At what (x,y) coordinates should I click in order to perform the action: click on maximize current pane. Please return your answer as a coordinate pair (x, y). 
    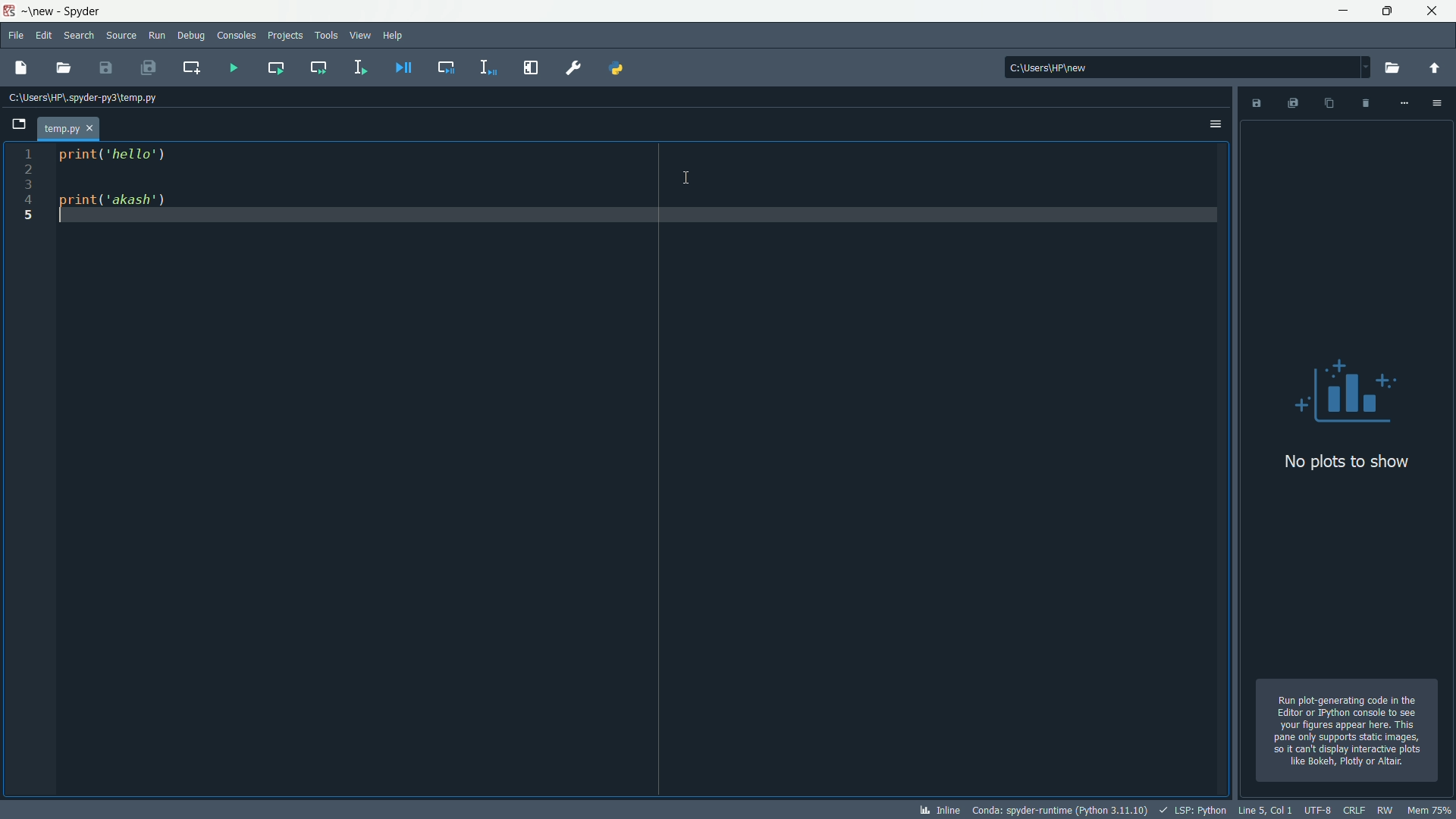
    Looking at the image, I should click on (531, 66).